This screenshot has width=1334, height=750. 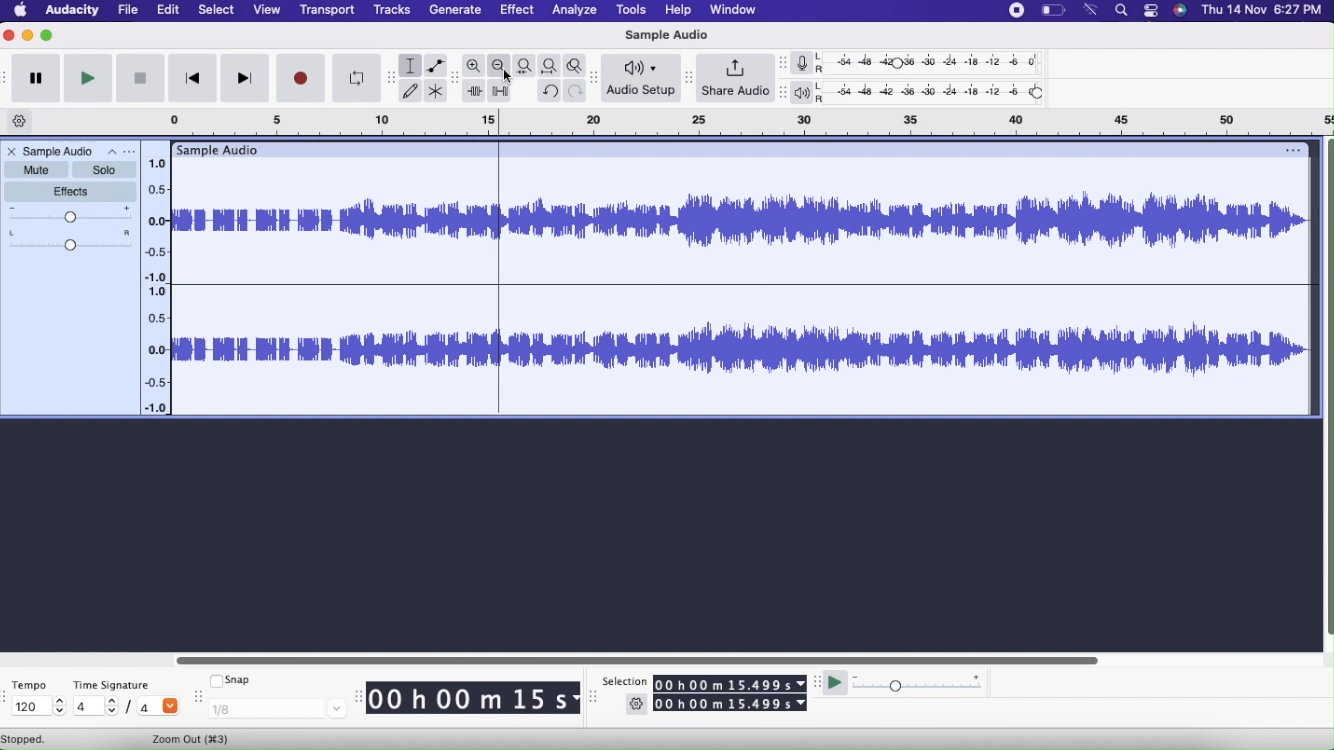 What do you see at coordinates (501, 90) in the screenshot?
I see `Silence audio selection` at bounding box center [501, 90].